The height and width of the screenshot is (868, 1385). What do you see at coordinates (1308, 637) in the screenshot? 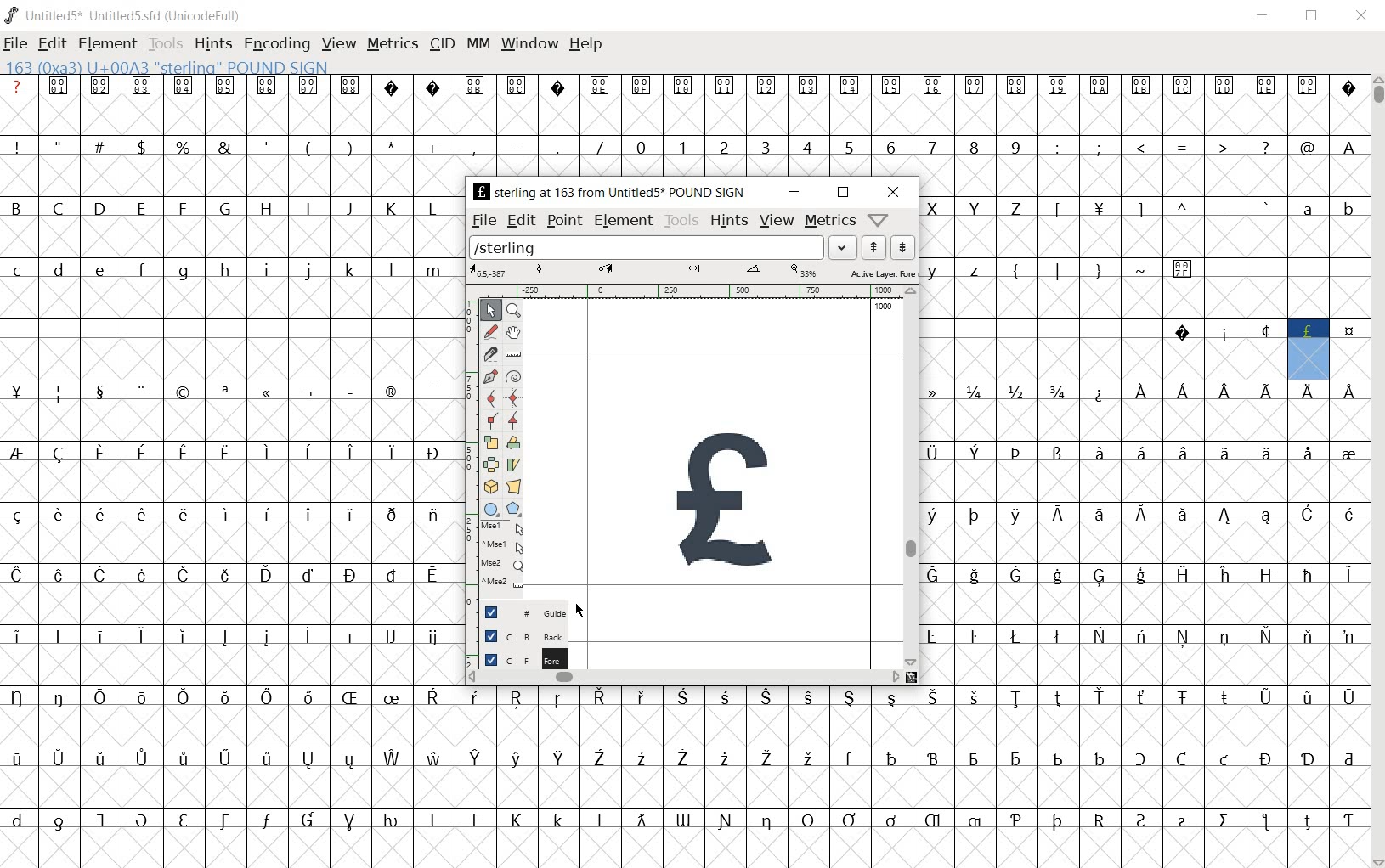
I see `Symbol` at bounding box center [1308, 637].